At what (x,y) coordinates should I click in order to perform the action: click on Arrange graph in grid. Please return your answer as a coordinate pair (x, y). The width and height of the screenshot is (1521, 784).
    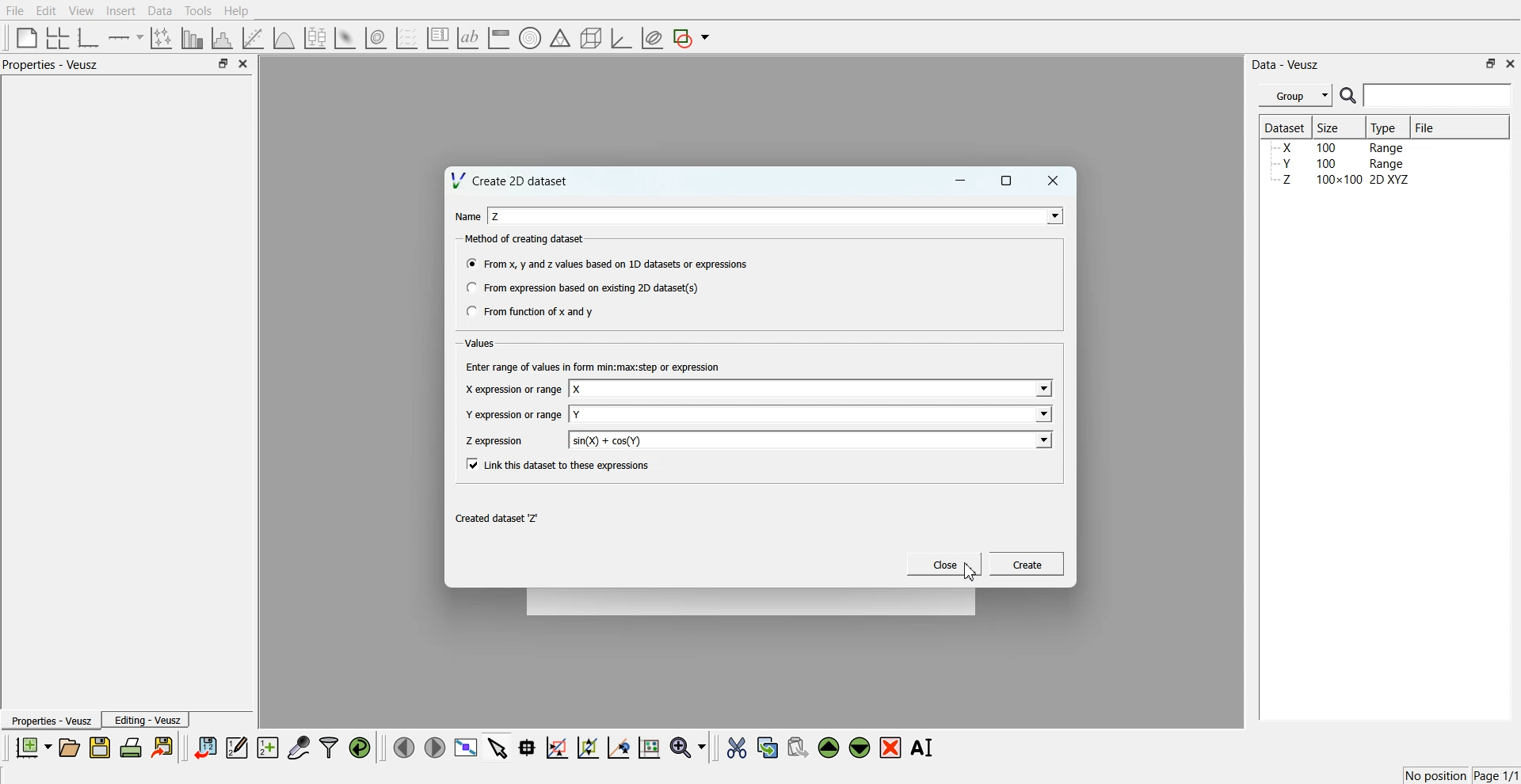
    Looking at the image, I should click on (58, 39).